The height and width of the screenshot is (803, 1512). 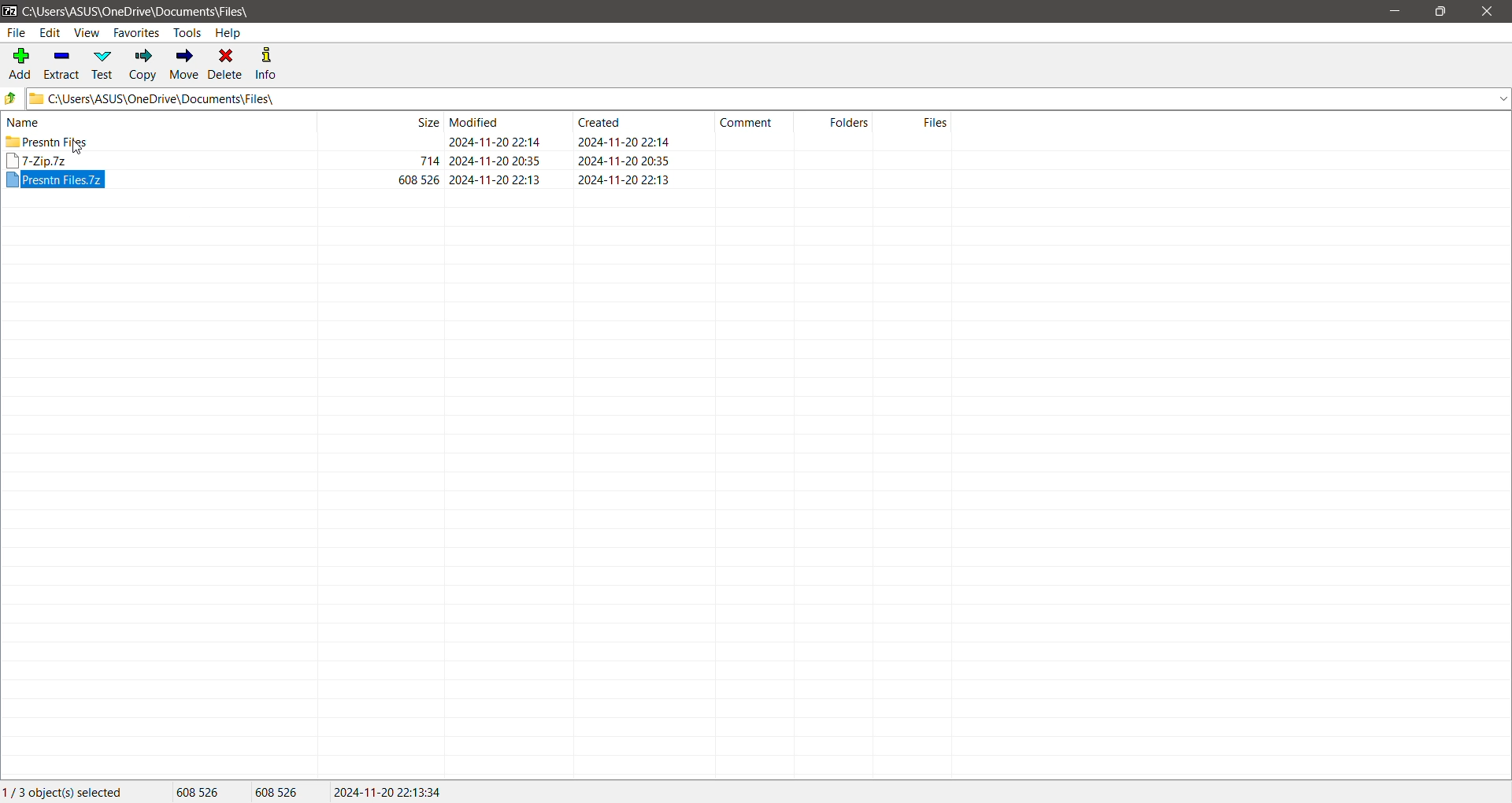 I want to click on Restore Down, so click(x=1440, y=12).